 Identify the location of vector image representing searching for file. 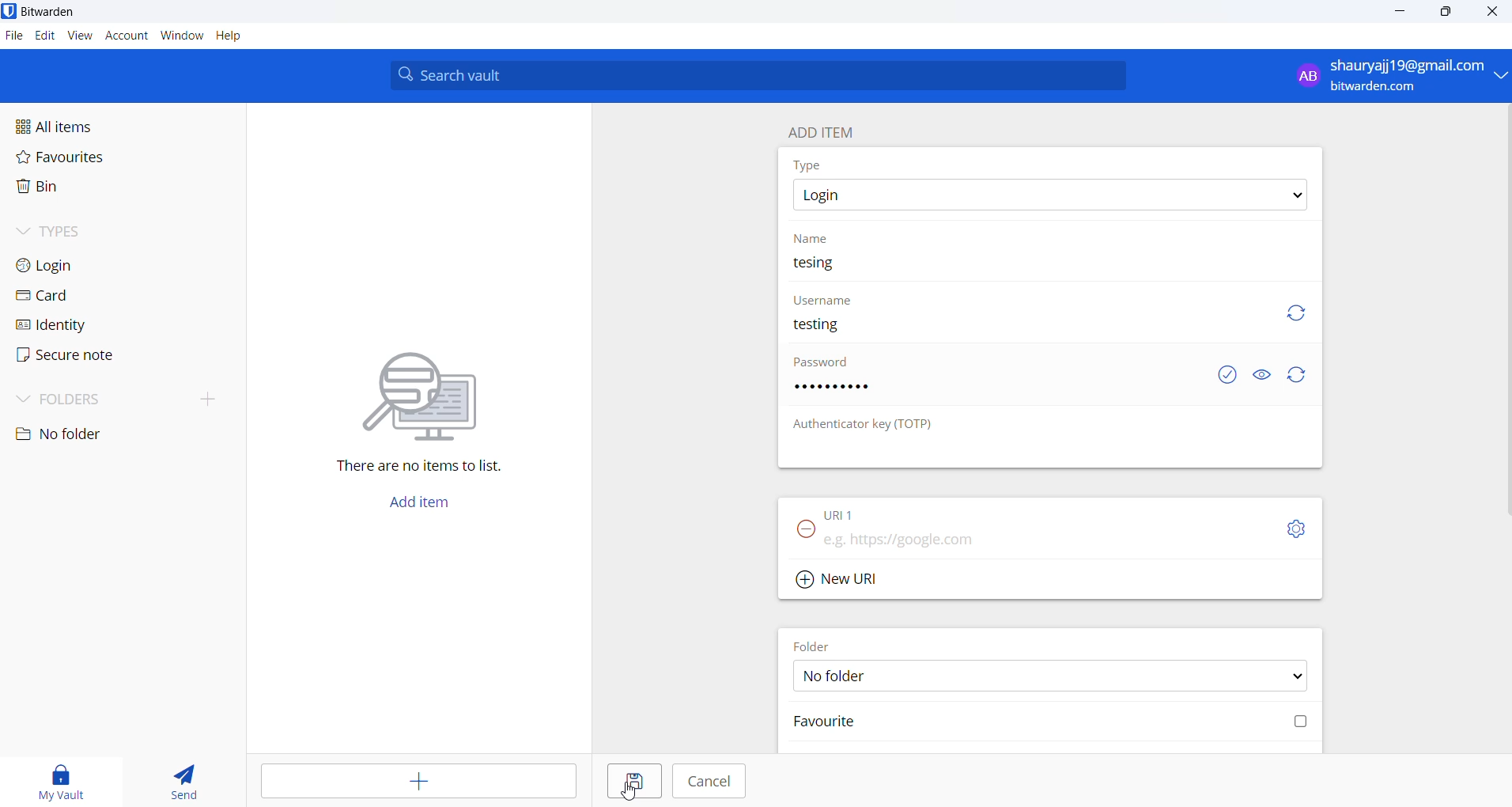
(430, 385).